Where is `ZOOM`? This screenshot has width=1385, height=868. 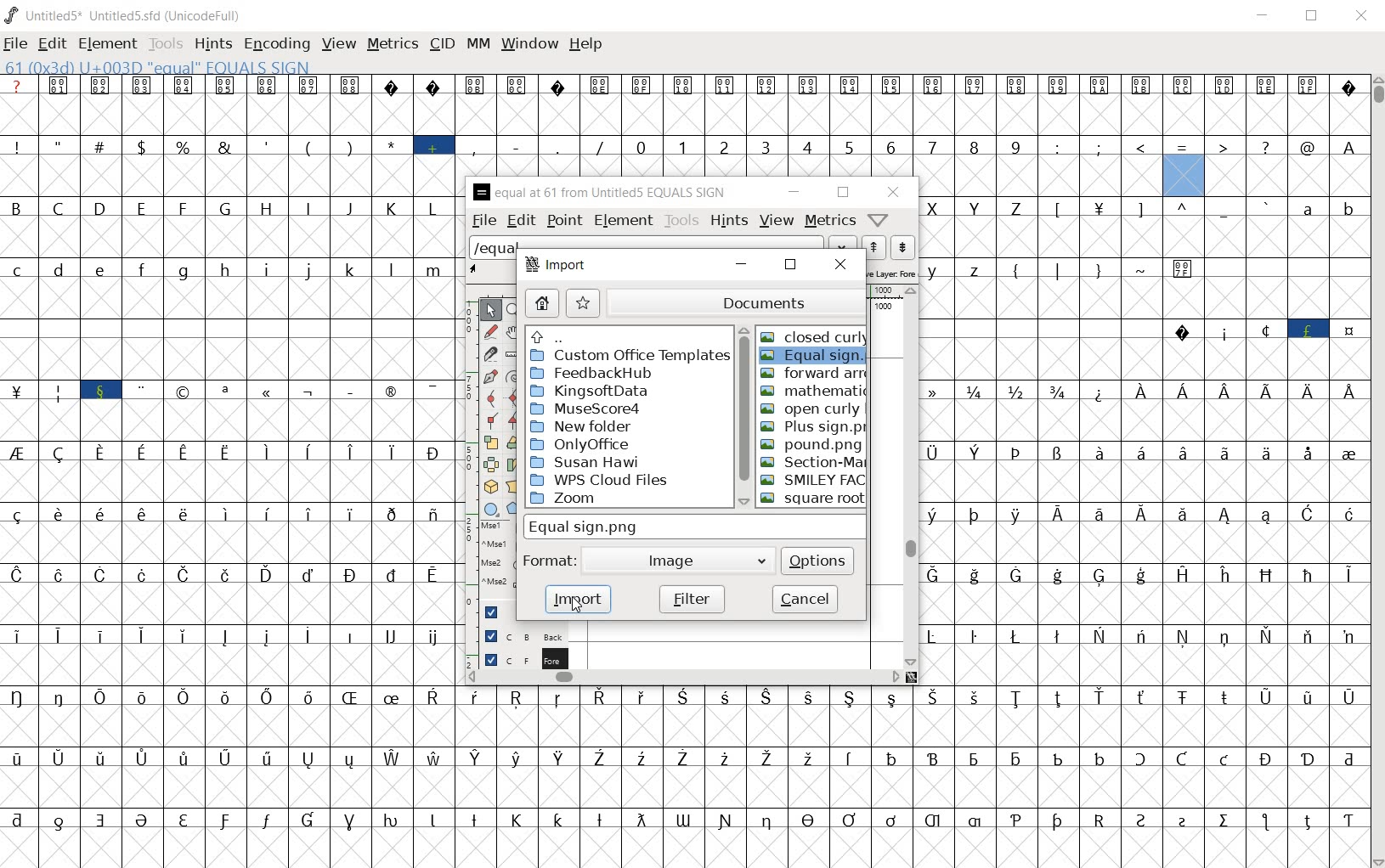
ZOOM is located at coordinates (628, 499).